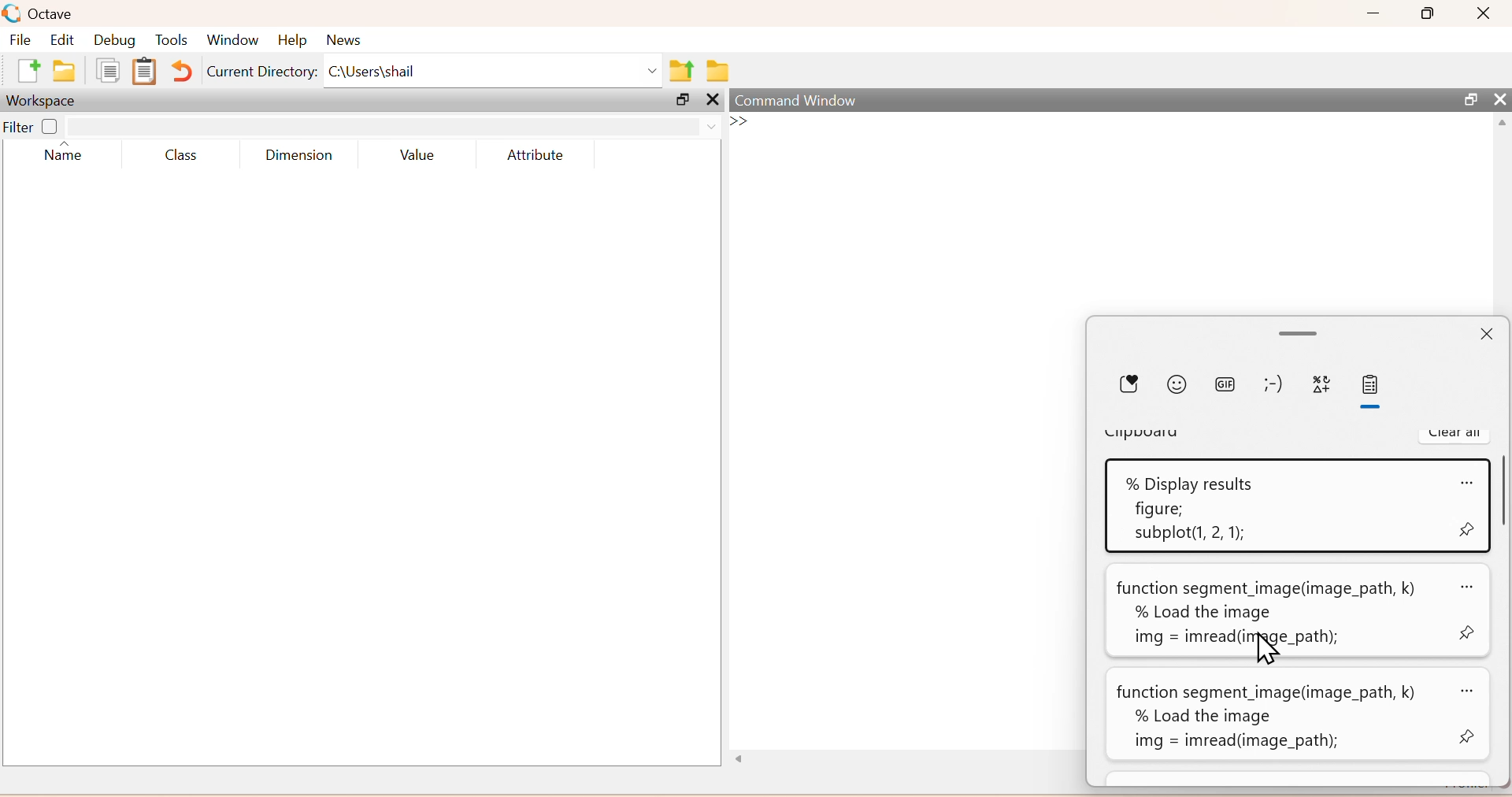 The image size is (1512, 797). What do you see at coordinates (1483, 13) in the screenshot?
I see `Close` at bounding box center [1483, 13].